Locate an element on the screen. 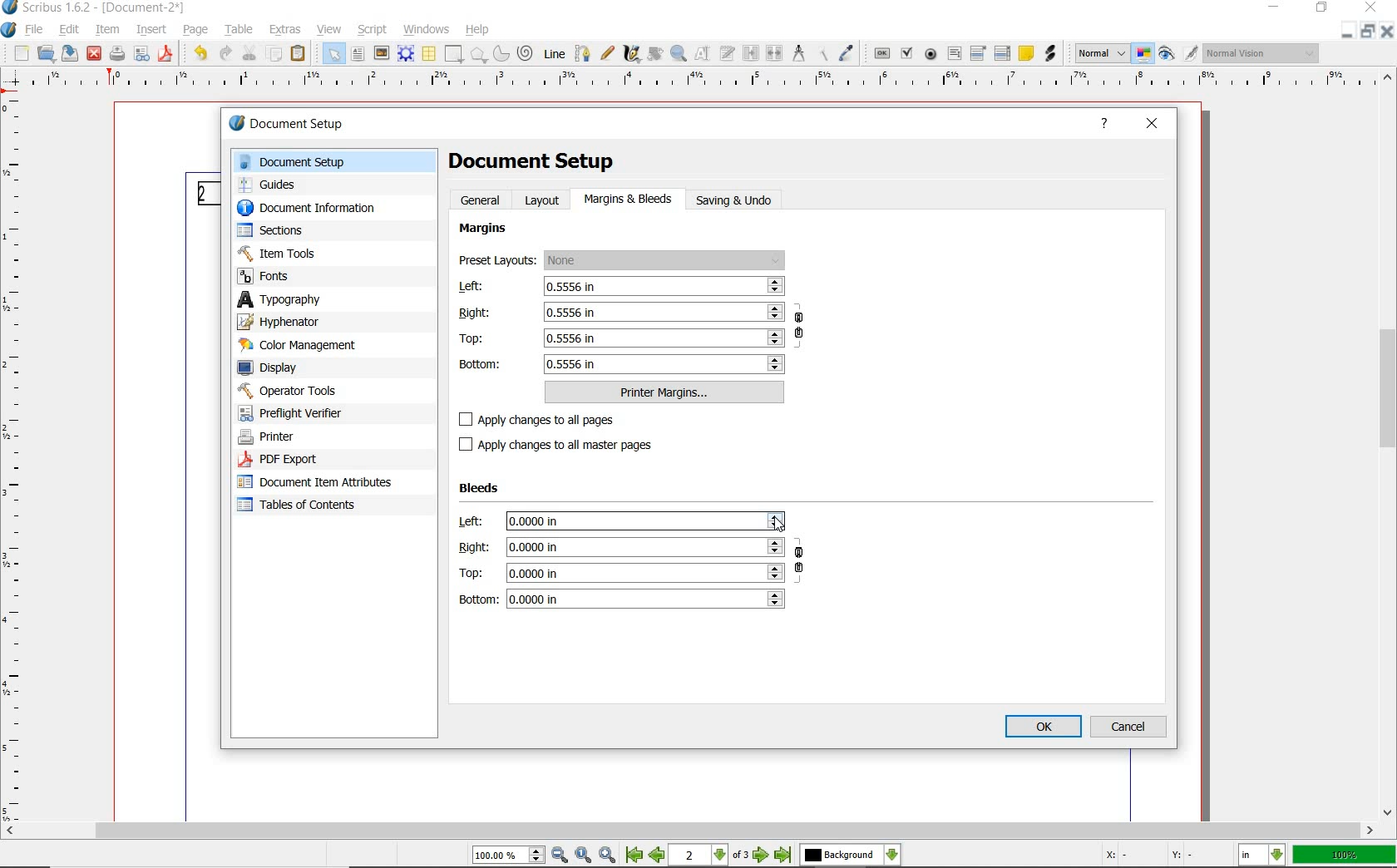 This screenshot has width=1397, height=868. Zoom to 100% is located at coordinates (584, 856).